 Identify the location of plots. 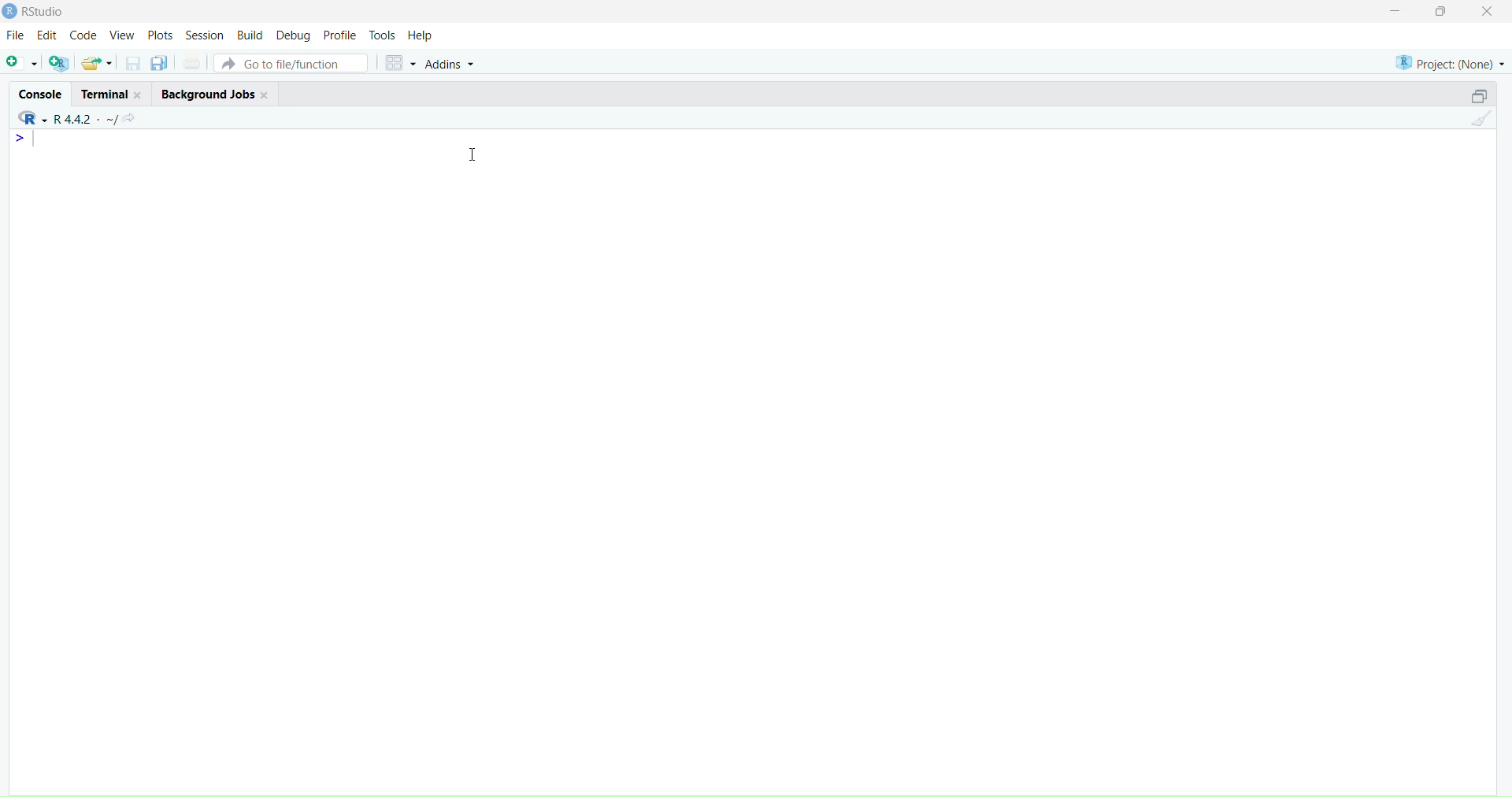
(161, 36).